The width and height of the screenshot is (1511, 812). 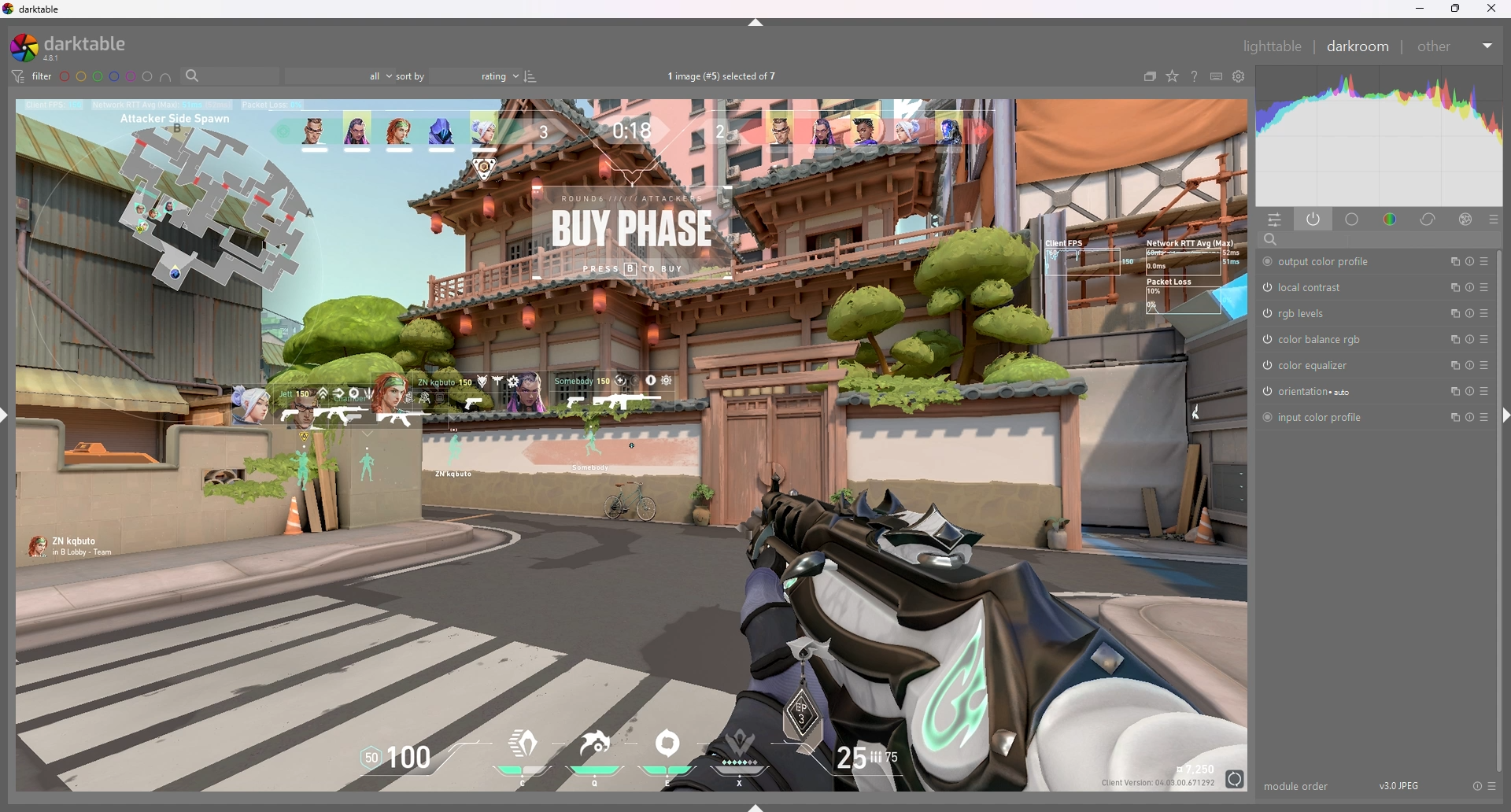 I want to click on sort by, so click(x=458, y=76).